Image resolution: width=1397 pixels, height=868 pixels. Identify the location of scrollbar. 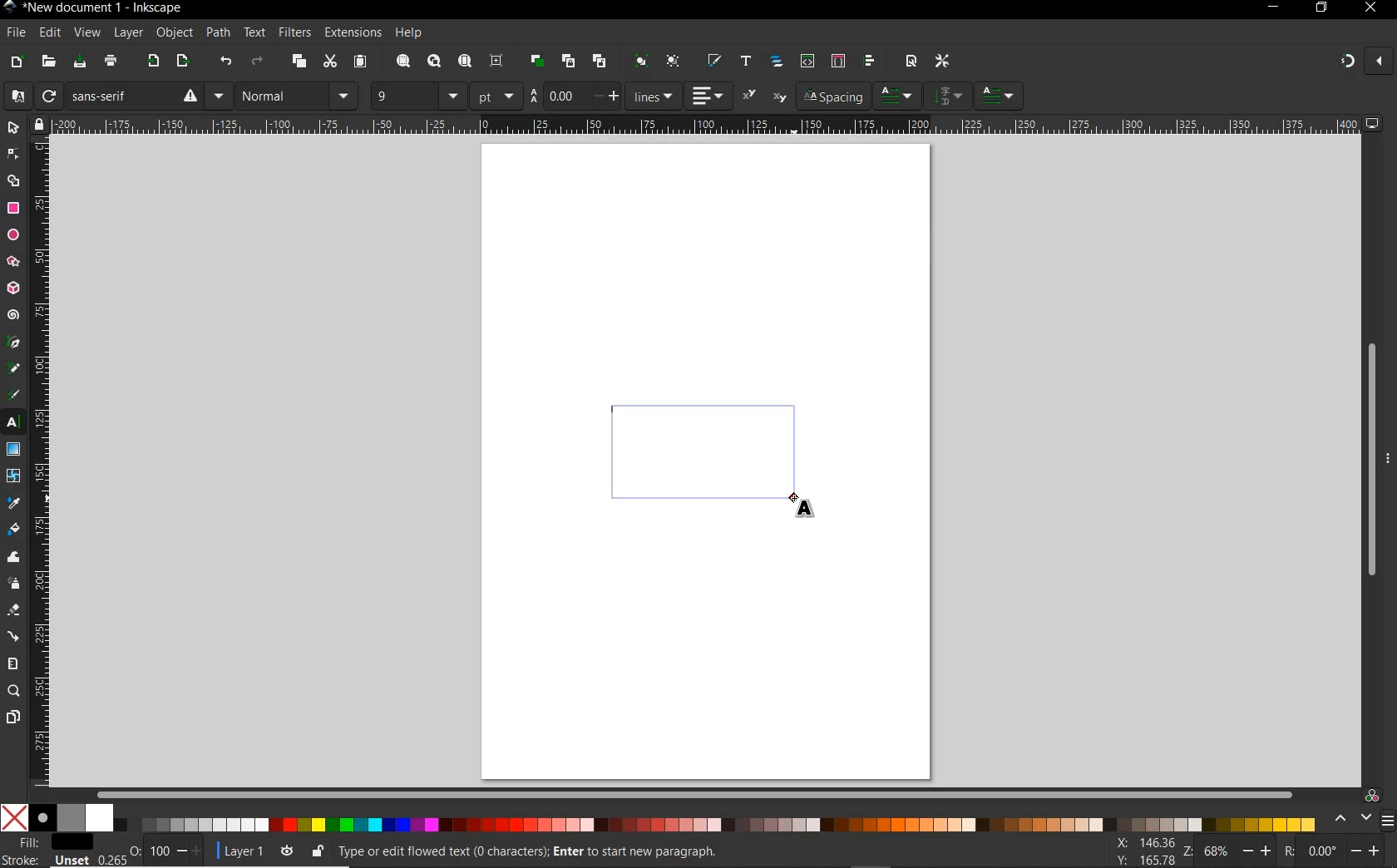
(1370, 461).